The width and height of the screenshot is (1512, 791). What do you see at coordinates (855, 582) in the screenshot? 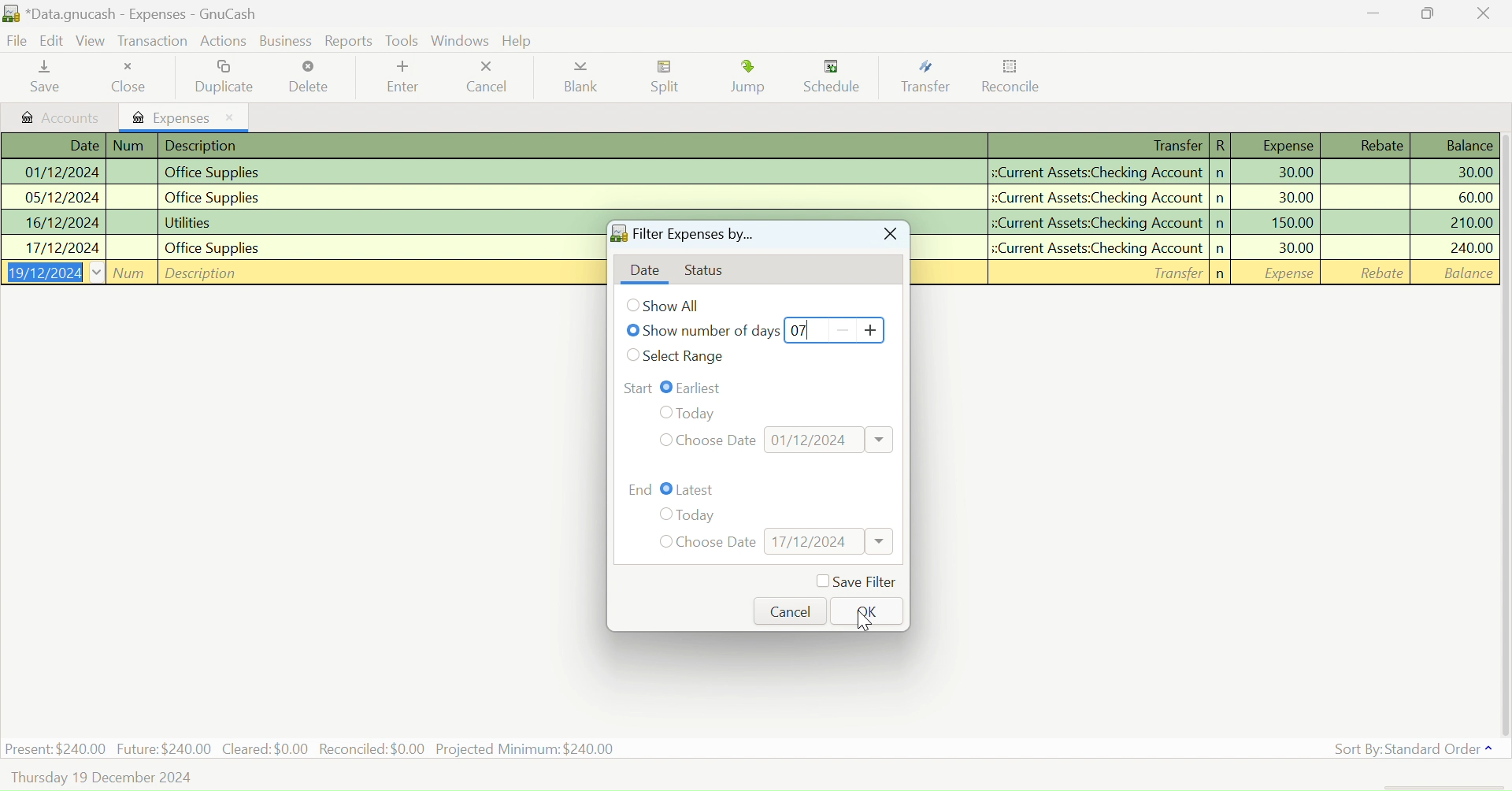
I see `Save Filter Checkbox` at bounding box center [855, 582].